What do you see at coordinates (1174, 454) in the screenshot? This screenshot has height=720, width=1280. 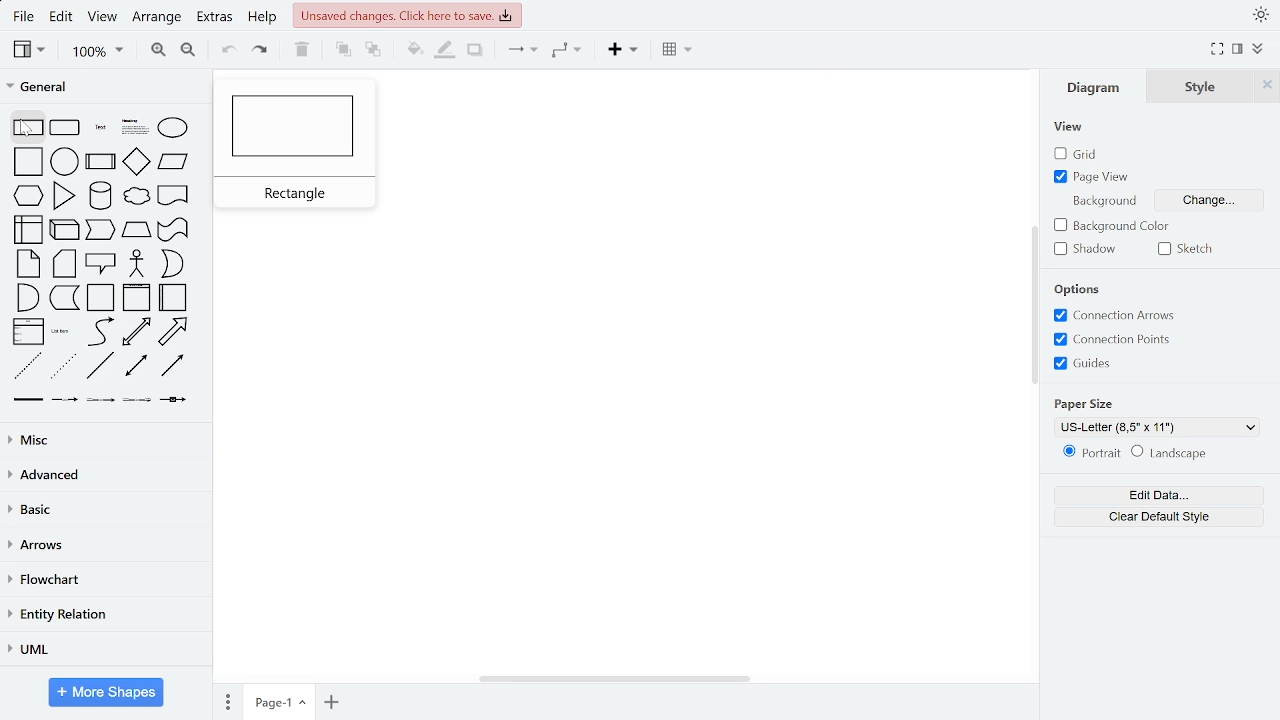 I see `landscape` at bounding box center [1174, 454].